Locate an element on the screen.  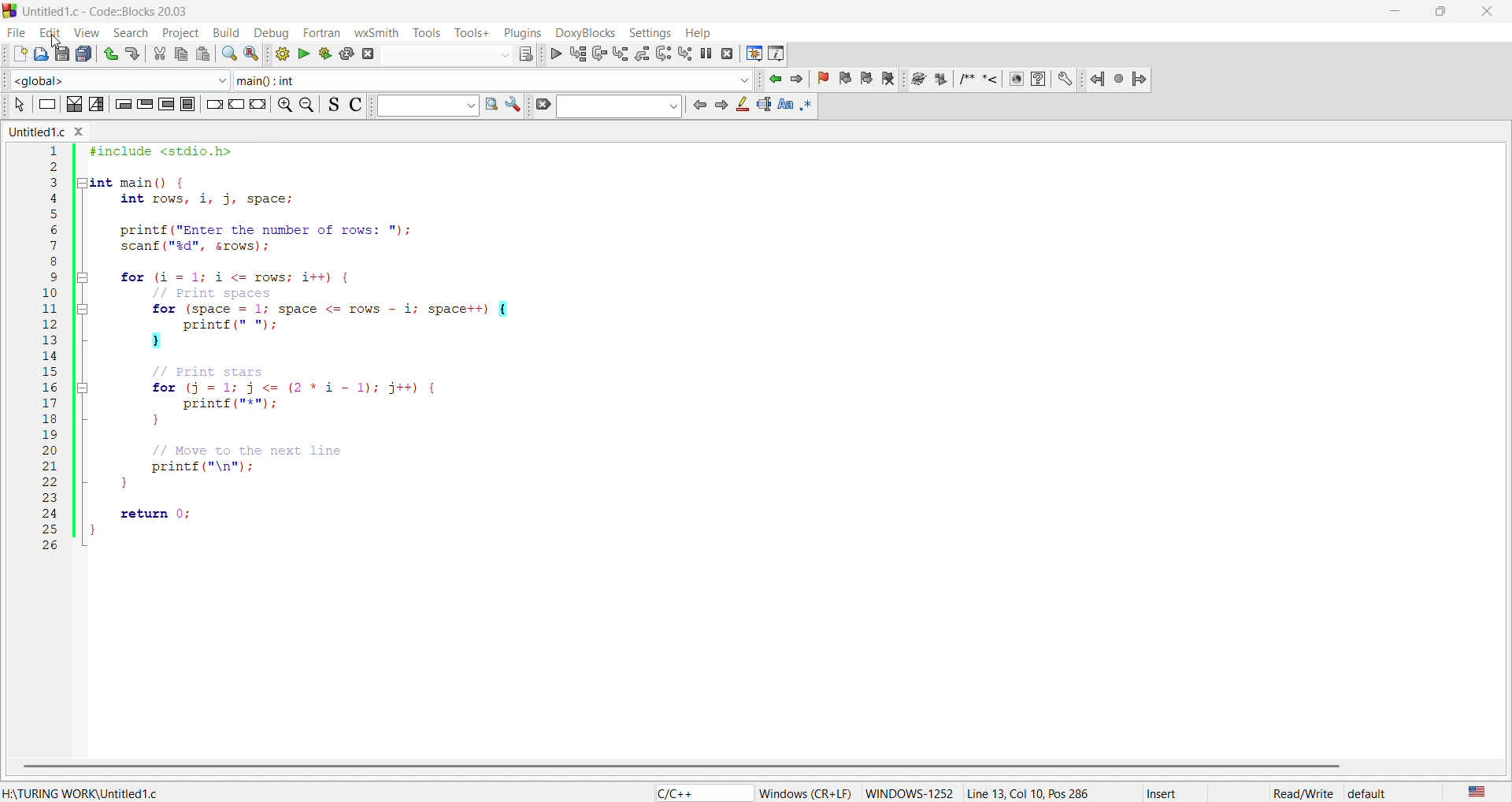
show selected target is located at coordinates (527, 54).